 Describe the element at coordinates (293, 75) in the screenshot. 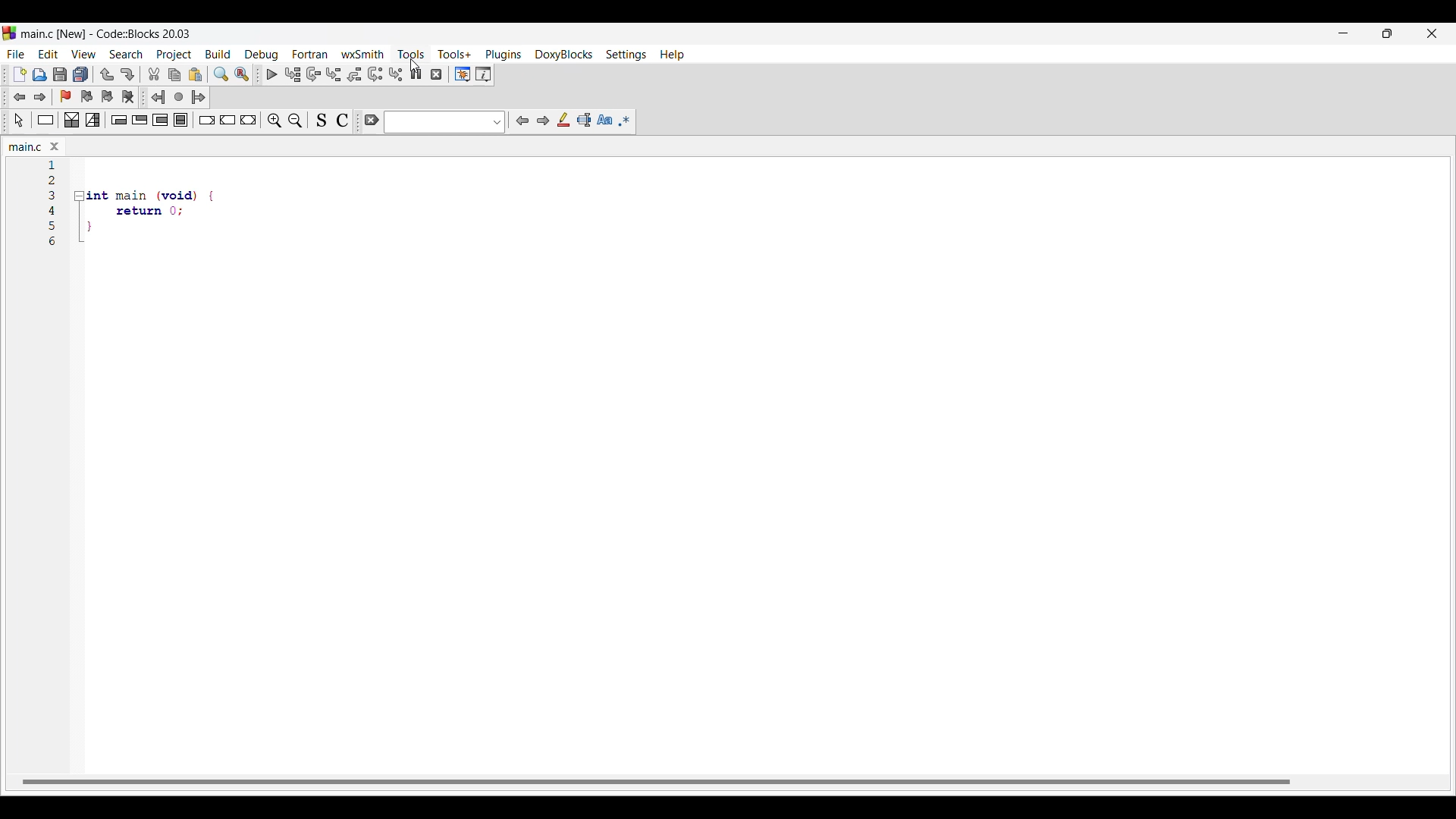

I see `Run to cursor` at that location.